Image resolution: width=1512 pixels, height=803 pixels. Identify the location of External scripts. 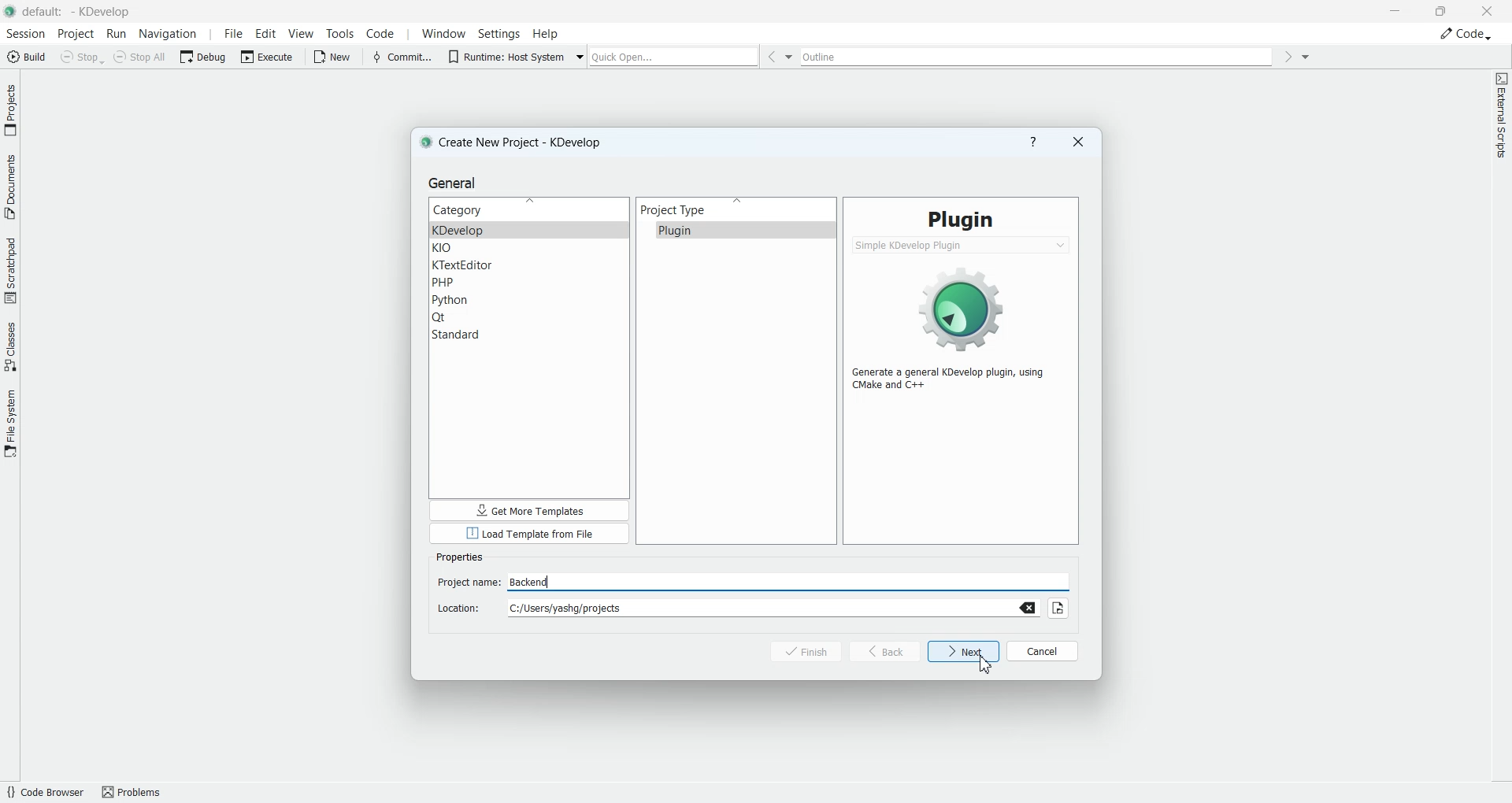
(1501, 120).